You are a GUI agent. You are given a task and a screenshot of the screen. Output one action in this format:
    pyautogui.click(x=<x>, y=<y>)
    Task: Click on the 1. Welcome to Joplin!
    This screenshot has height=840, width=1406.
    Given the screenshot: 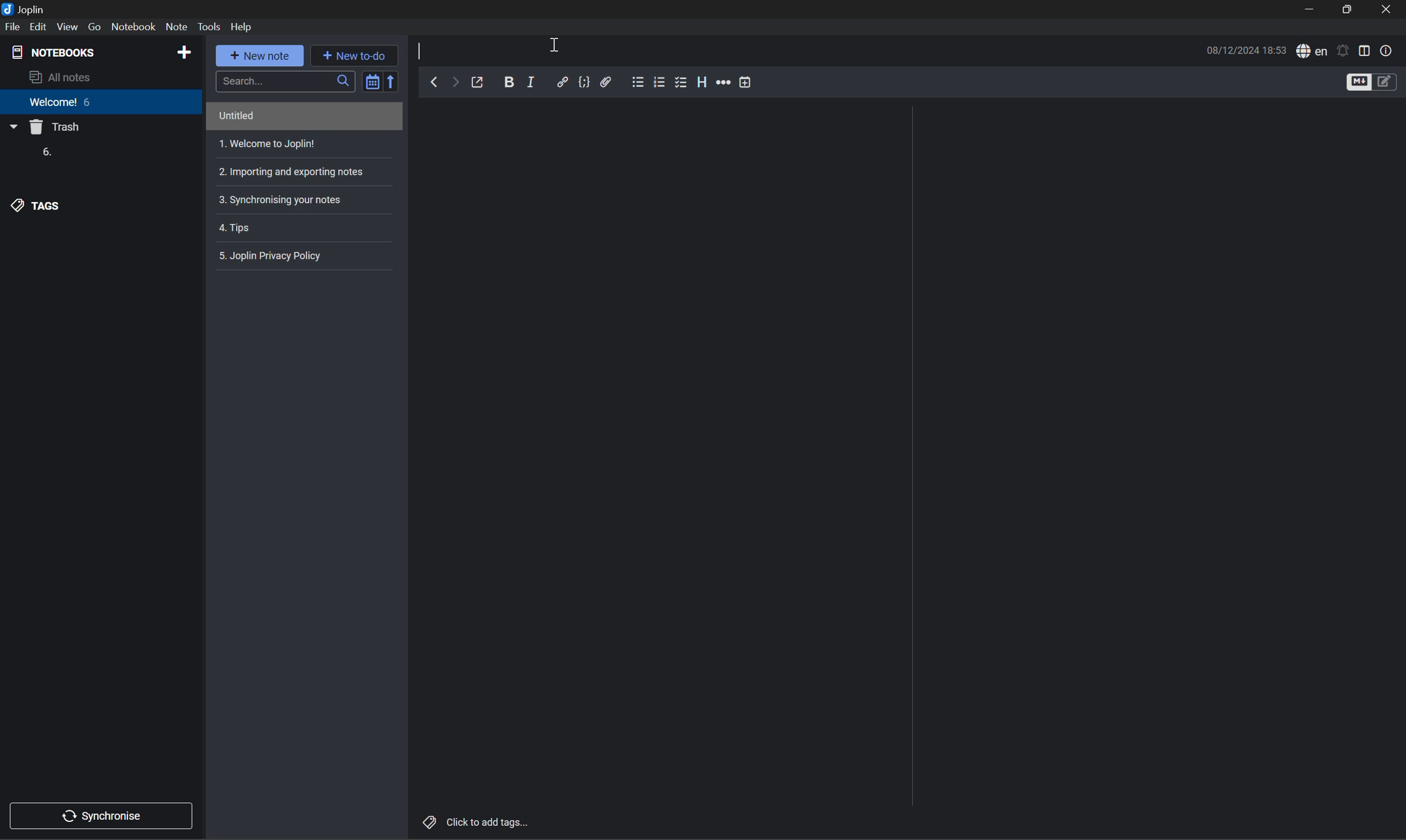 What is the action you would take?
    pyautogui.click(x=267, y=144)
    